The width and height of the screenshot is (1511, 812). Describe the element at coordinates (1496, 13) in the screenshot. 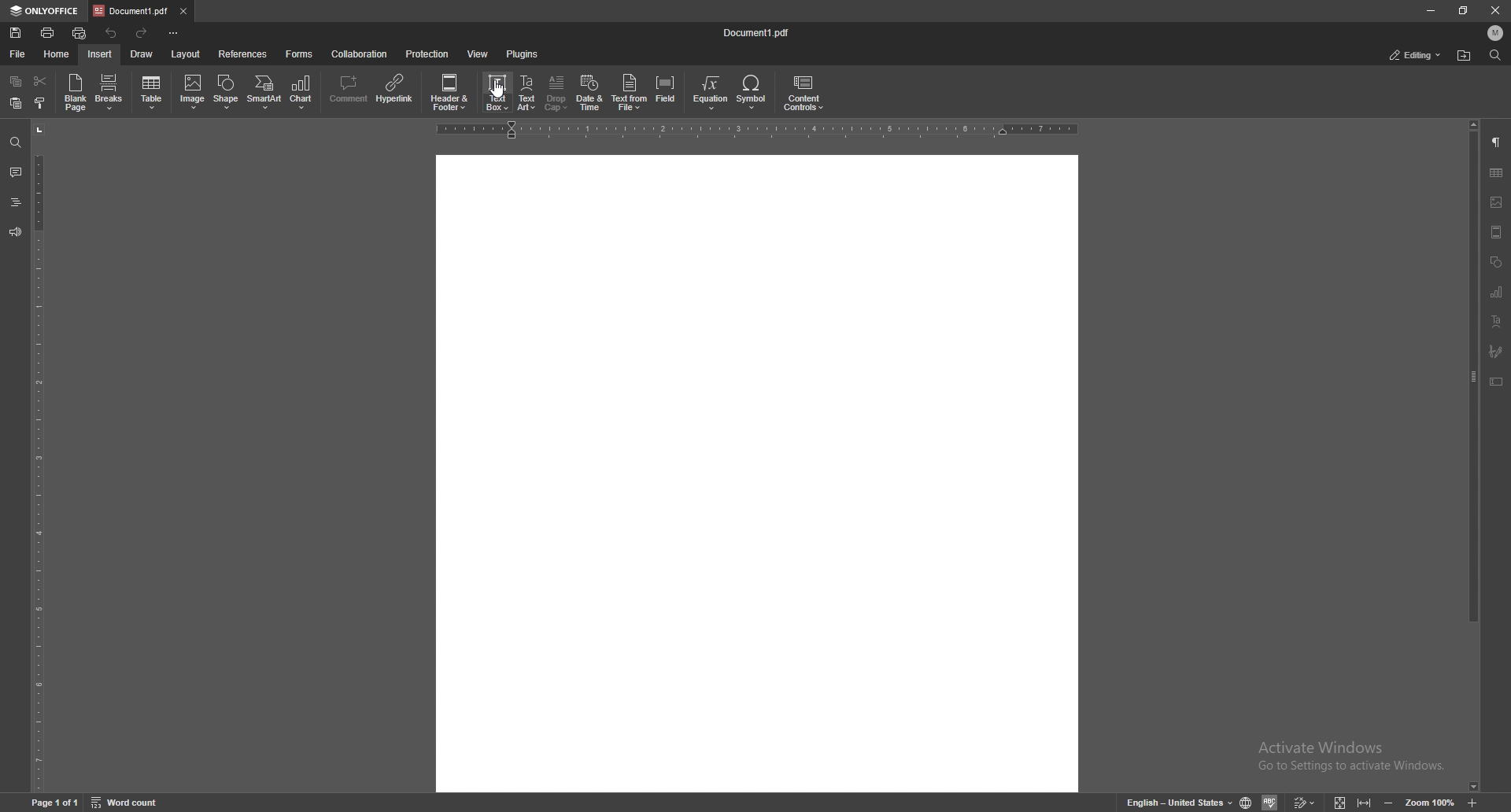

I see `close` at that location.